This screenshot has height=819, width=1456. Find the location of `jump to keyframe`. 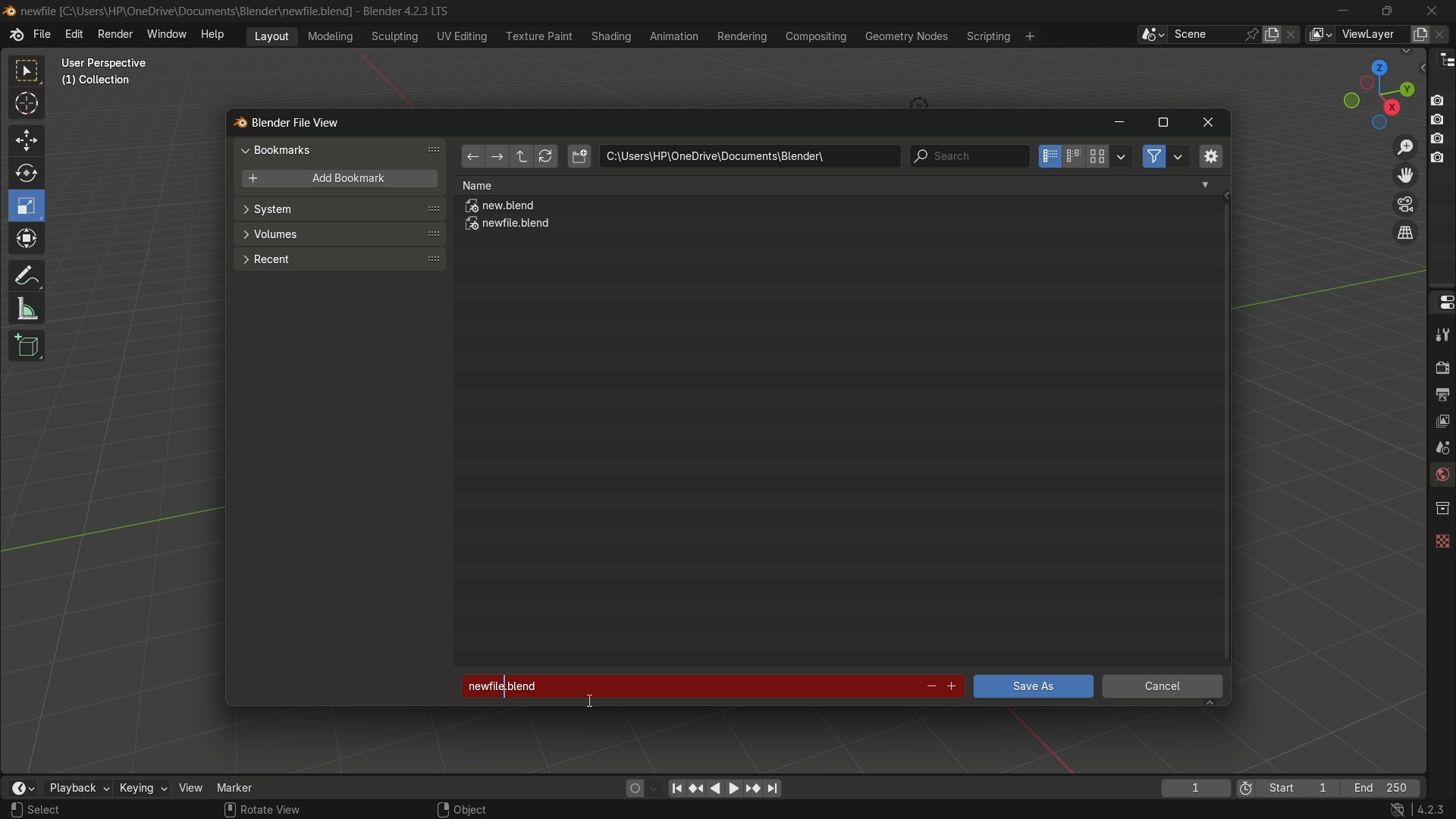

jump to keyframe is located at coordinates (697, 786).